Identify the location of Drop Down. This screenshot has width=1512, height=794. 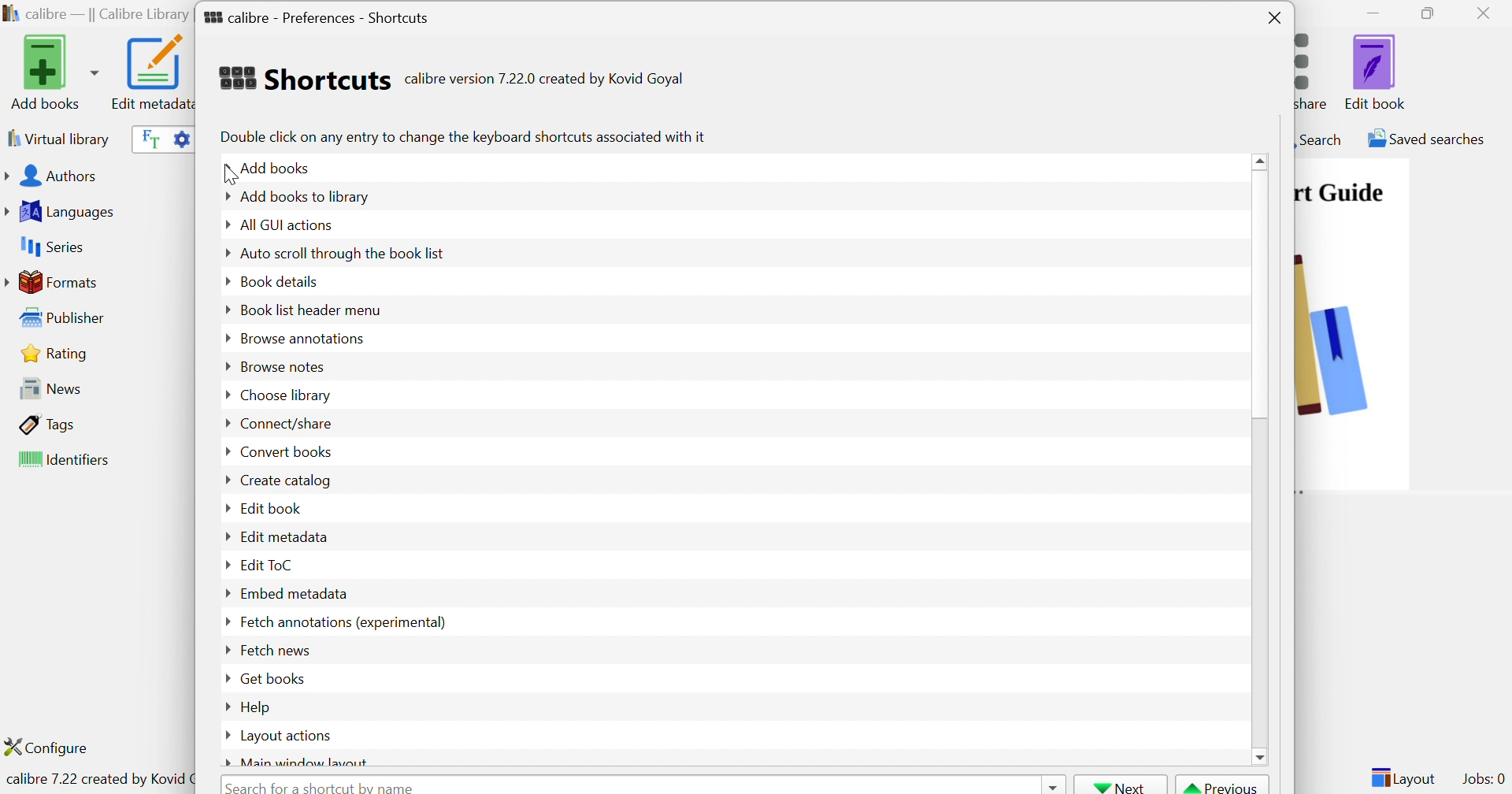
(222, 280).